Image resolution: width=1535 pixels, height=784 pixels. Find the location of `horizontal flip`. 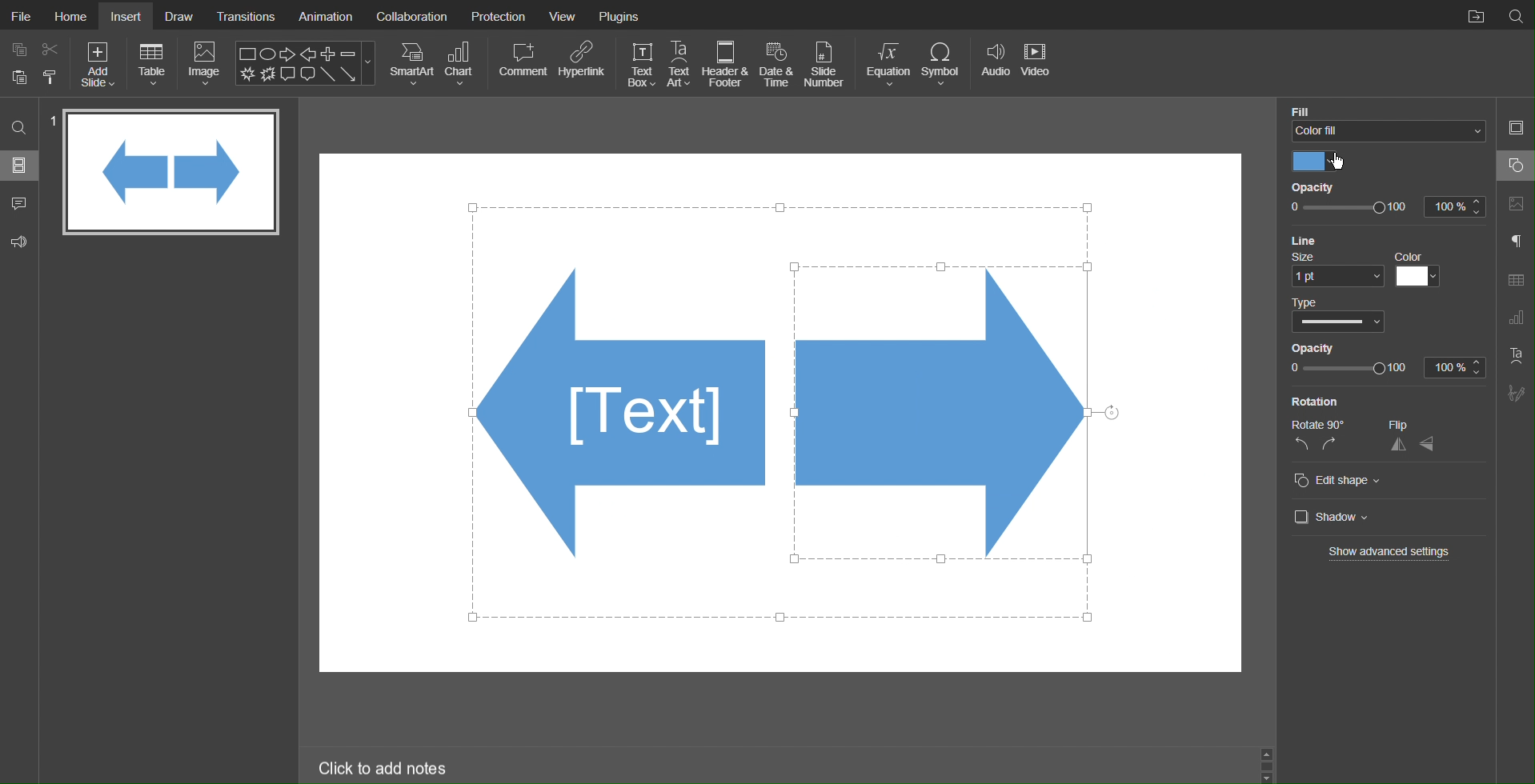

horizontal flip is located at coordinates (1397, 444).